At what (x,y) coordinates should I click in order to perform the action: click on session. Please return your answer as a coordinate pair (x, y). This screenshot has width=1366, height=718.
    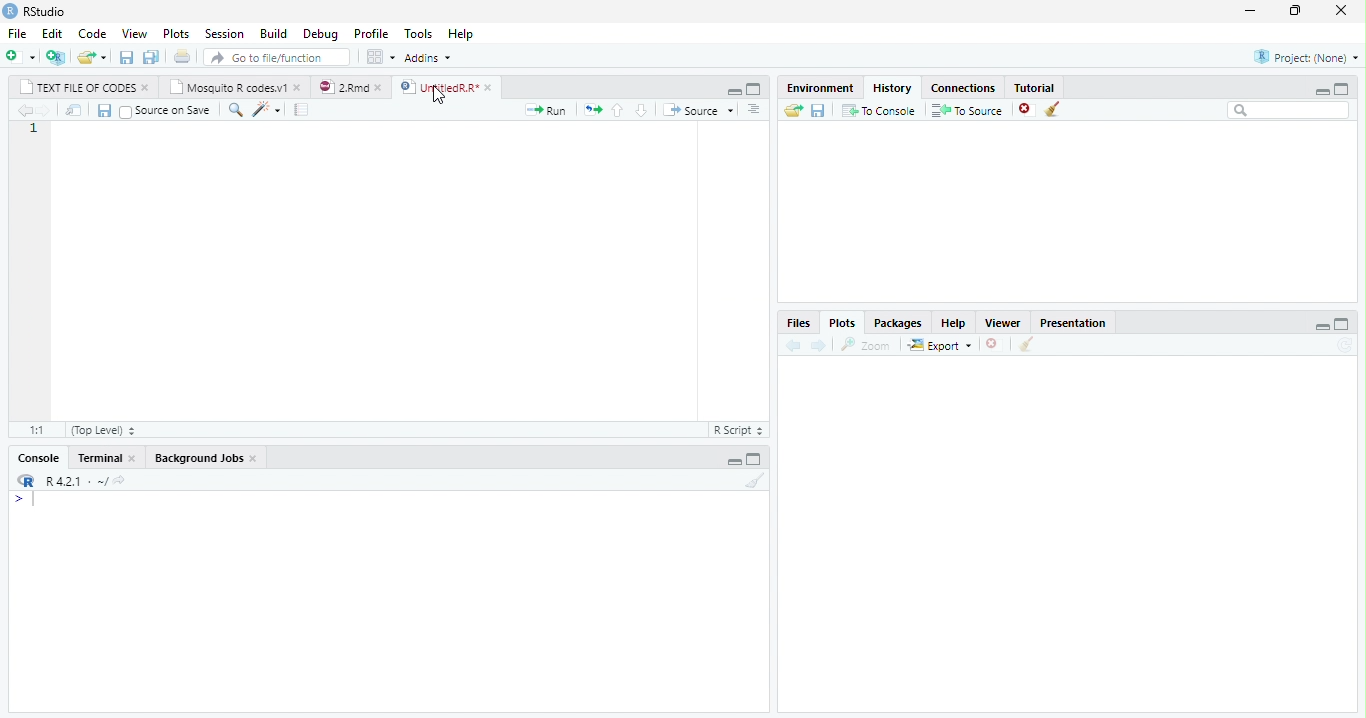
    Looking at the image, I should click on (222, 33).